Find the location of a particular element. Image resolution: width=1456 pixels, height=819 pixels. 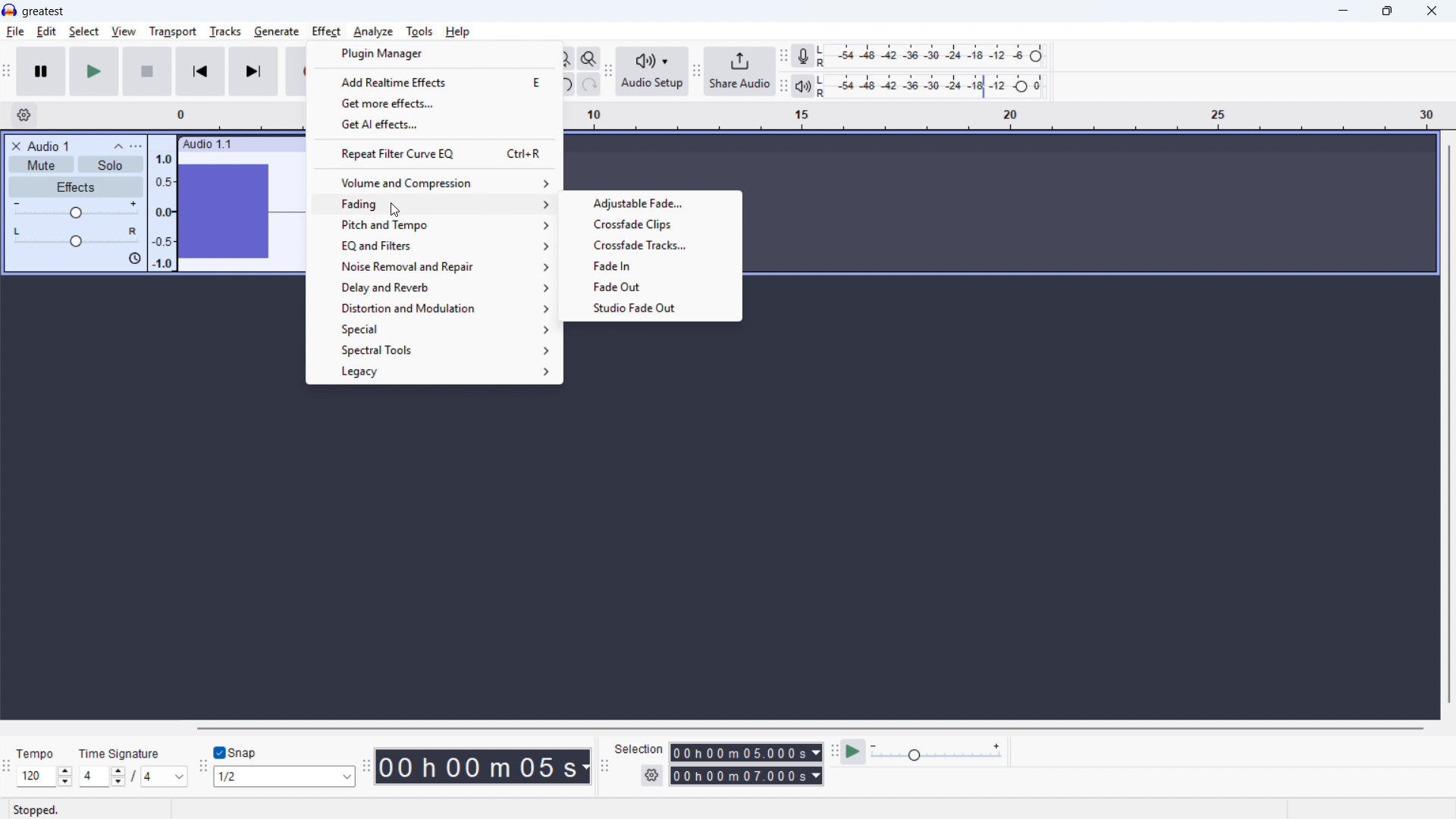

Mute  is located at coordinates (41, 164).